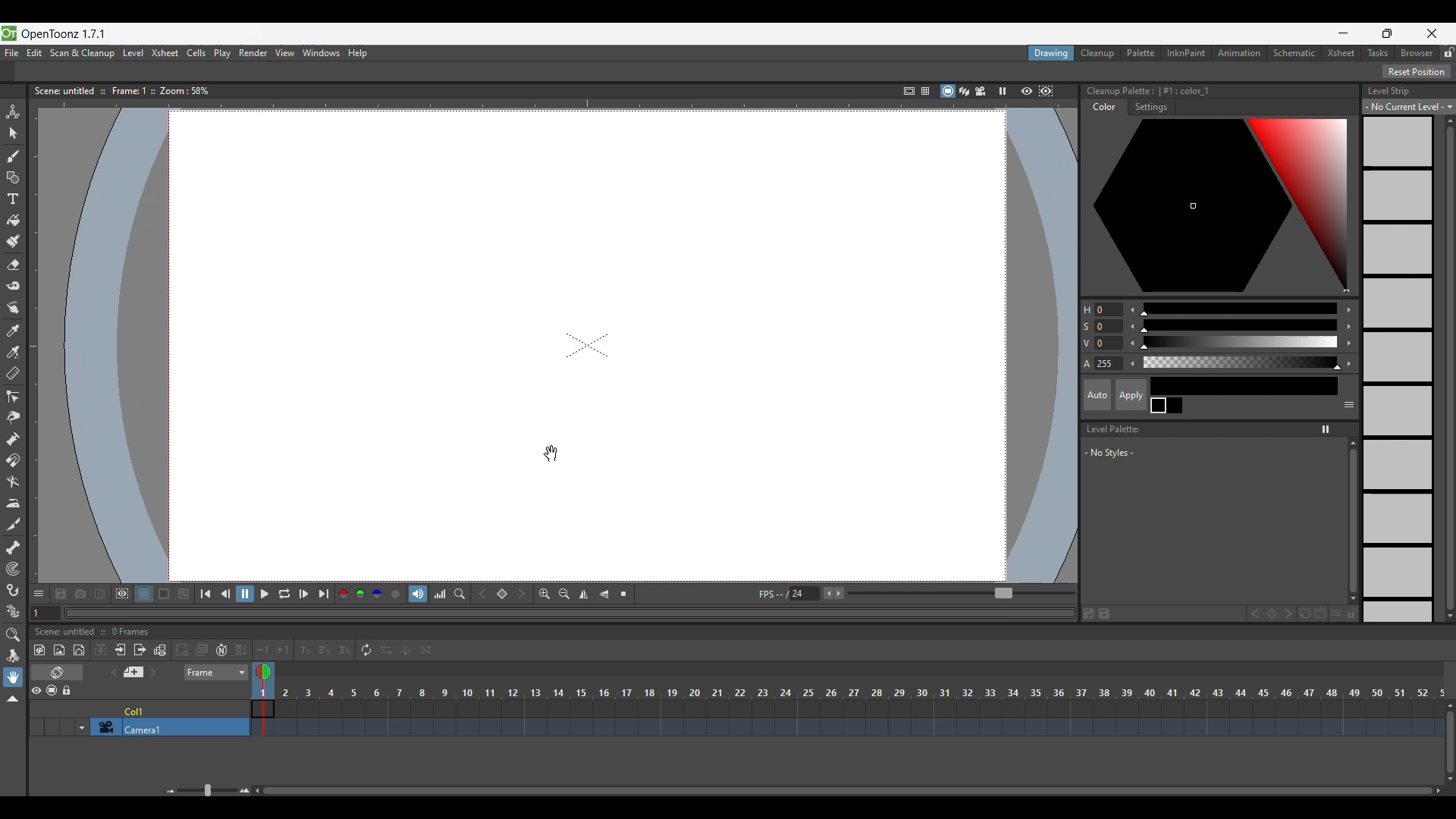 The image size is (1456, 819). What do you see at coordinates (1003, 91) in the screenshot?
I see `Freeze` at bounding box center [1003, 91].